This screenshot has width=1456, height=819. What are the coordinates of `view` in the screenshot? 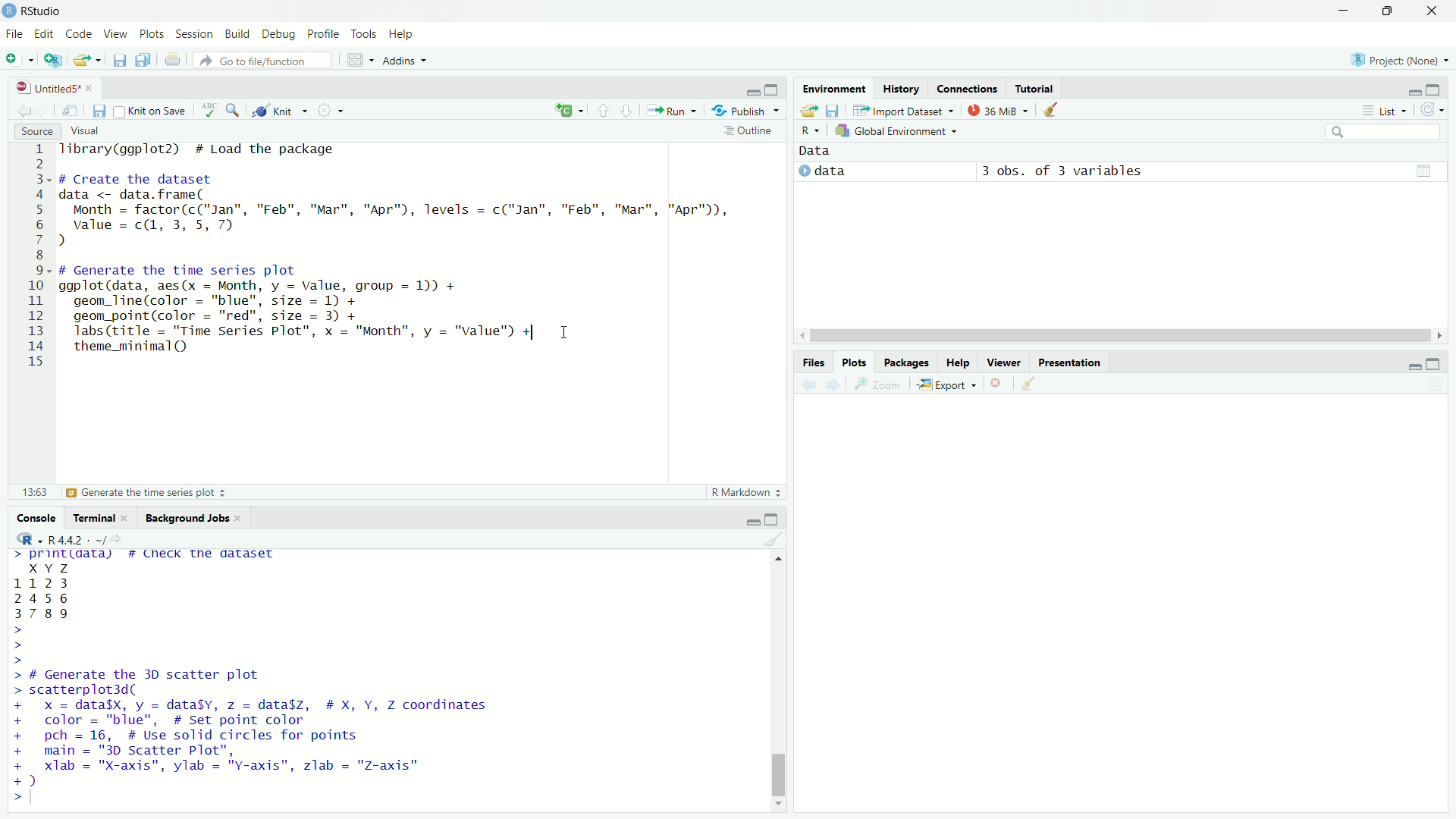 It's located at (115, 33).